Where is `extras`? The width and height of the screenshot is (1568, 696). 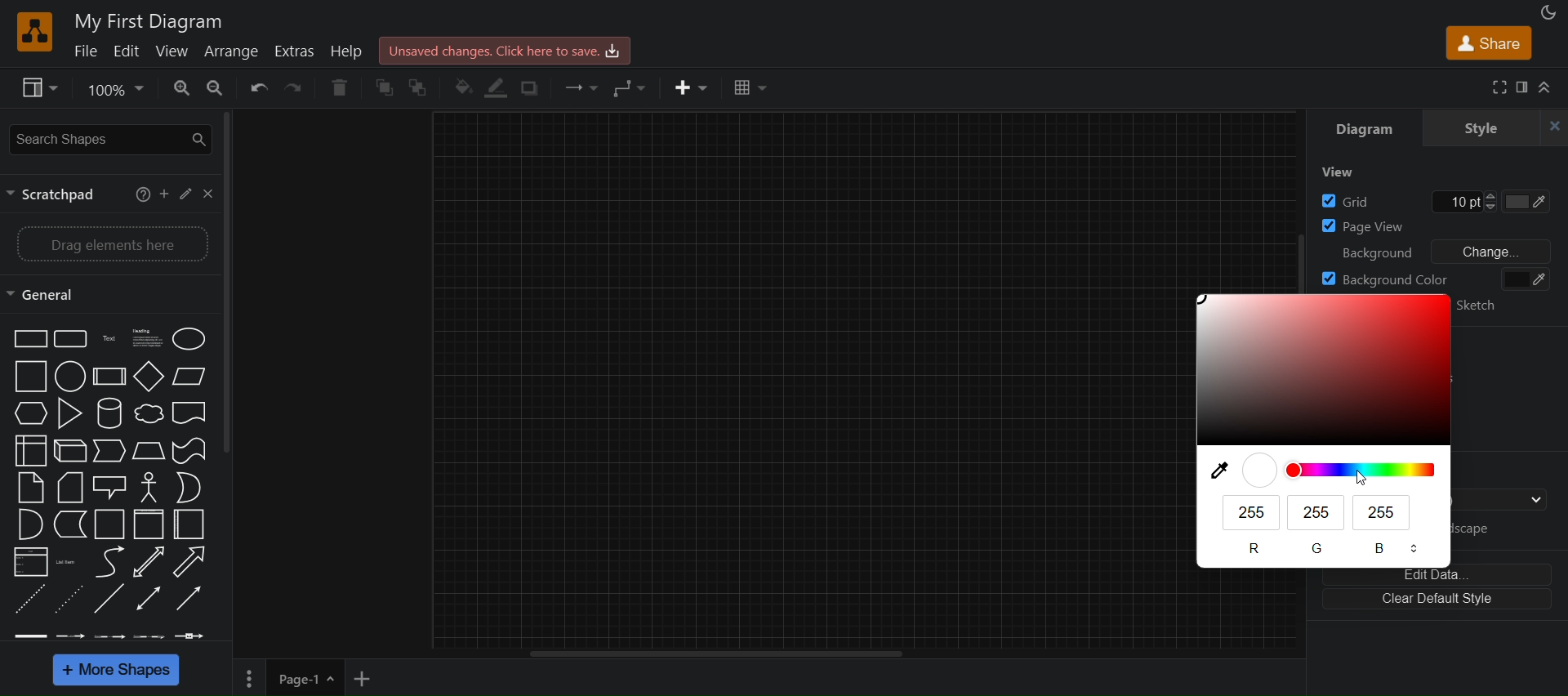
extras is located at coordinates (293, 51).